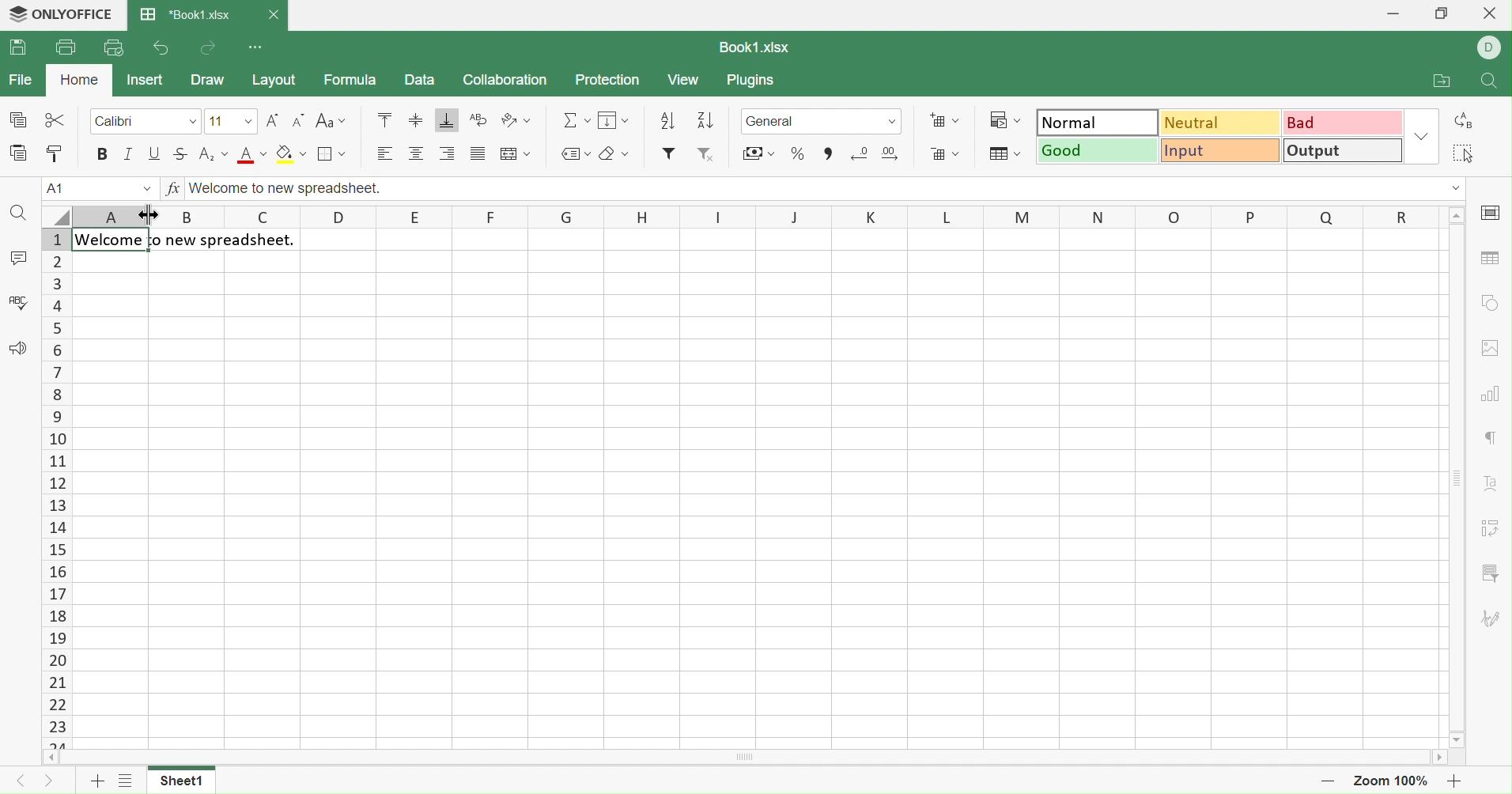 The image size is (1512, 794). What do you see at coordinates (1490, 47) in the screenshot?
I see `DELL` at bounding box center [1490, 47].